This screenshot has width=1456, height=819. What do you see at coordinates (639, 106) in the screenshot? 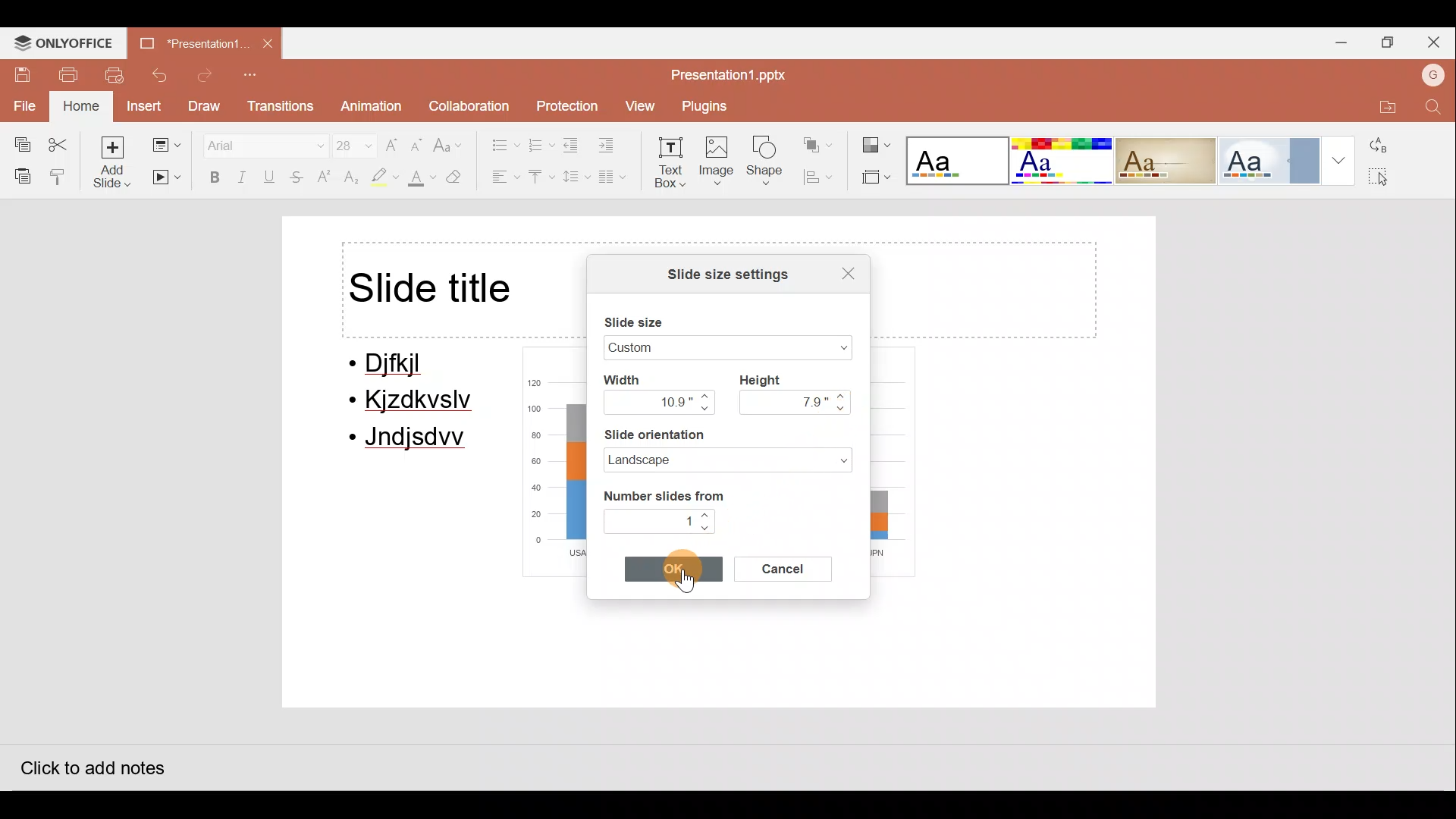
I see `View` at bounding box center [639, 106].